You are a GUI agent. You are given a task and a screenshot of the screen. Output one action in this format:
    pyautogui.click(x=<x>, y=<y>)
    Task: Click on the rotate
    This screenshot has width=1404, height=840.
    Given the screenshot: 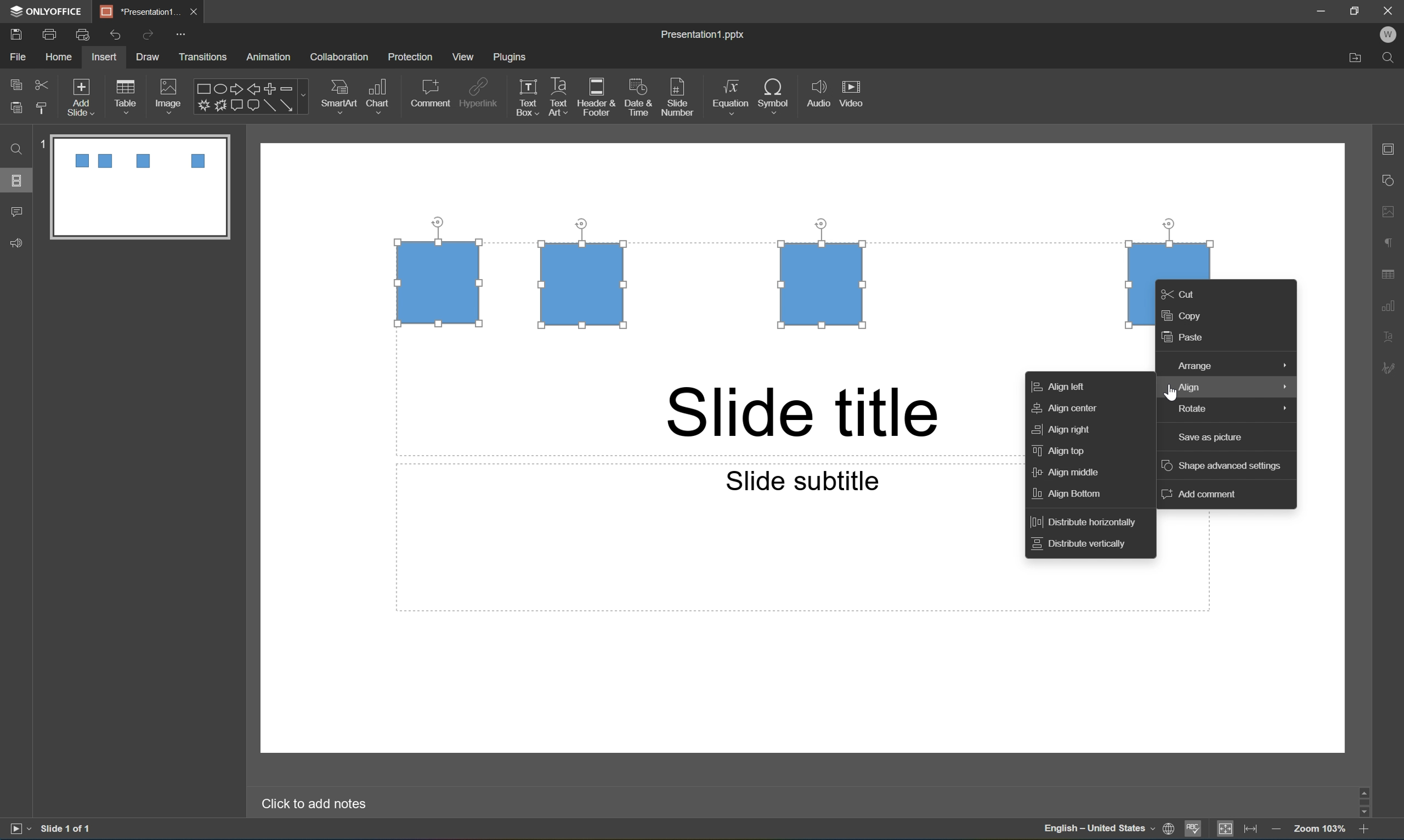 What is the action you would take?
    pyautogui.click(x=1228, y=410)
    